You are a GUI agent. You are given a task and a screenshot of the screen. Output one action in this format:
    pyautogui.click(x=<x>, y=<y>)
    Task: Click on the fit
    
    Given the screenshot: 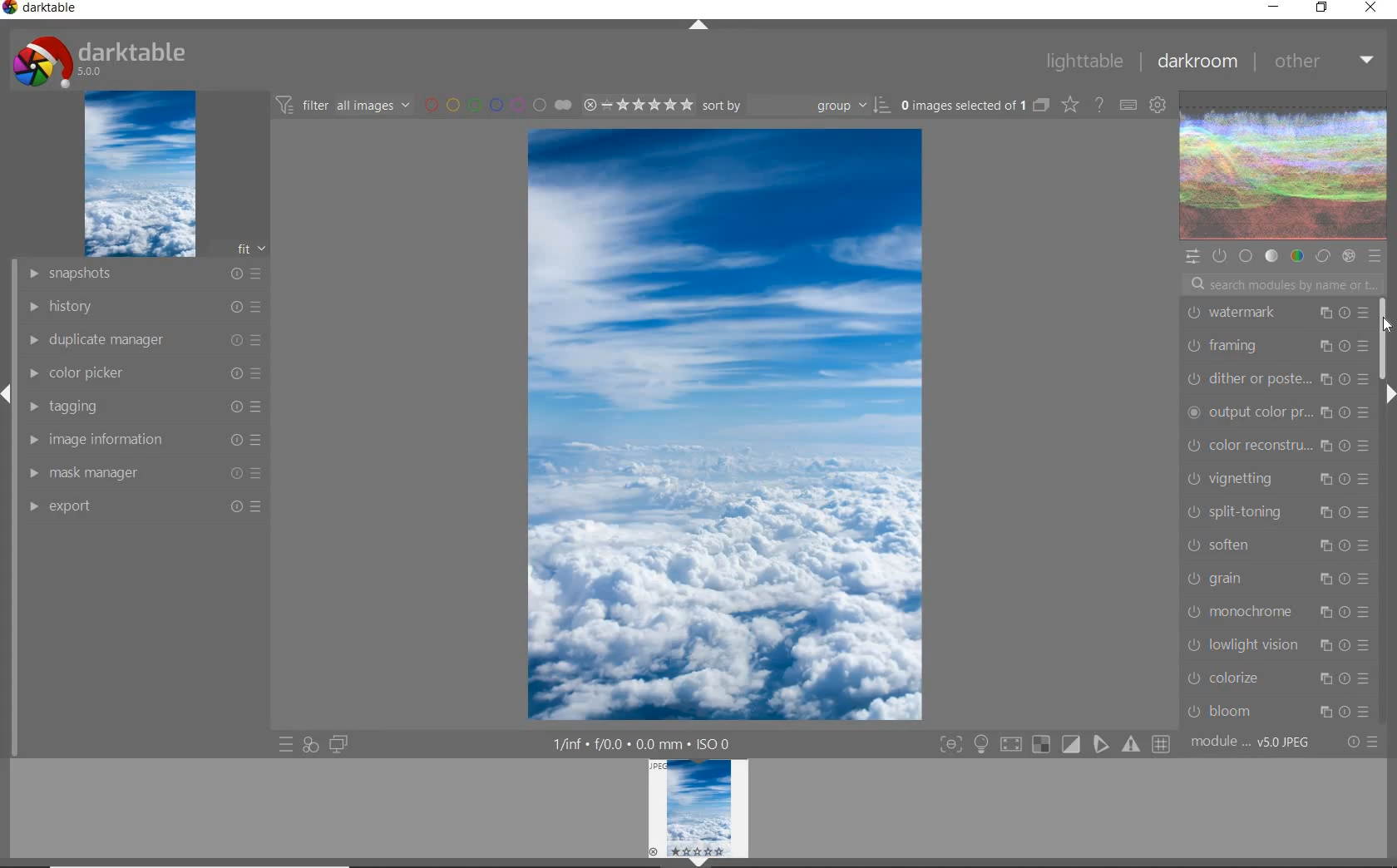 What is the action you would take?
    pyautogui.click(x=241, y=249)
    